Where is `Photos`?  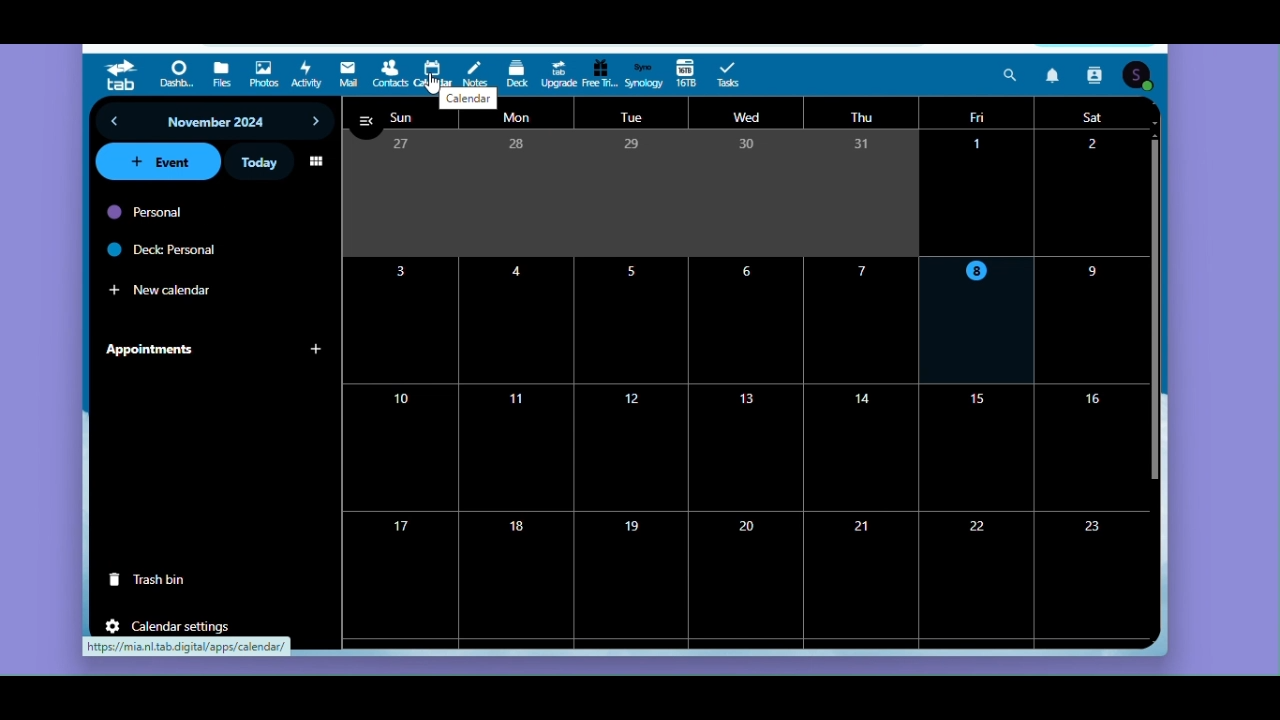 Photos is located at coordinates (263, 75).